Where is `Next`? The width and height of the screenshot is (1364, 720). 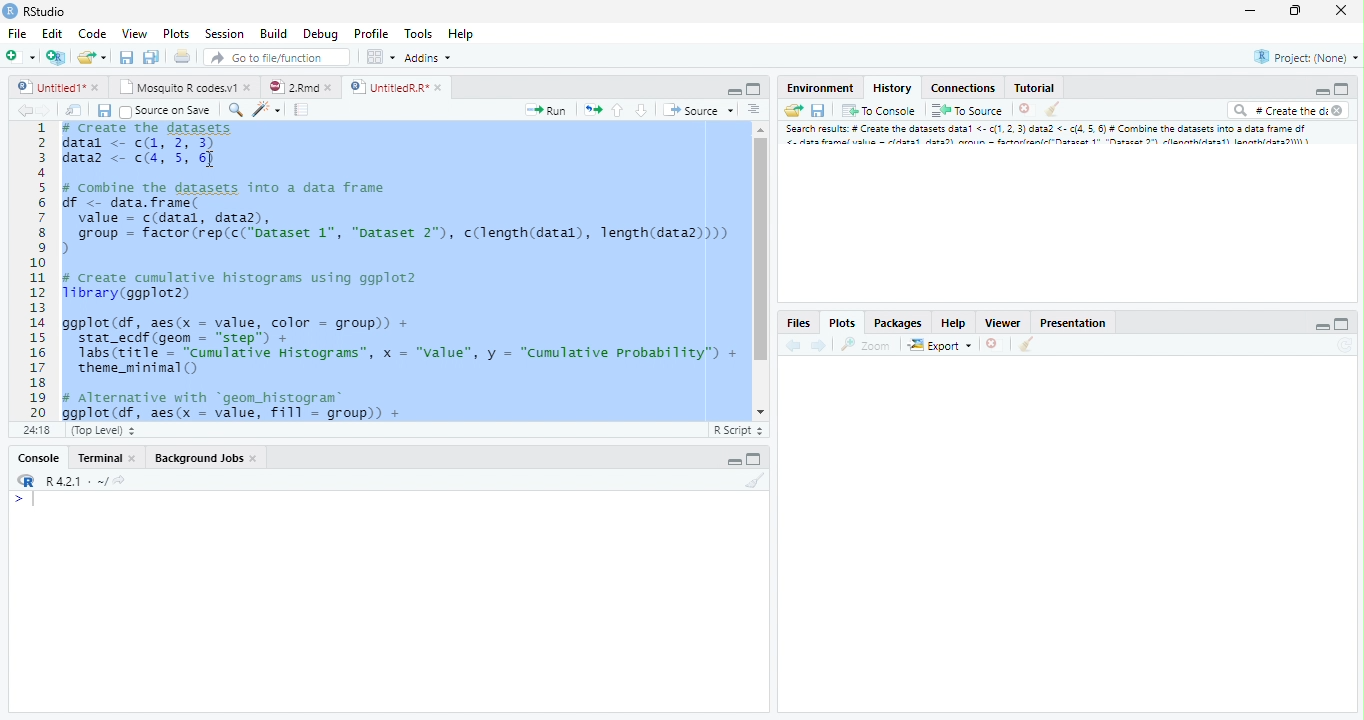
Next is located at coordinates (43, 114).